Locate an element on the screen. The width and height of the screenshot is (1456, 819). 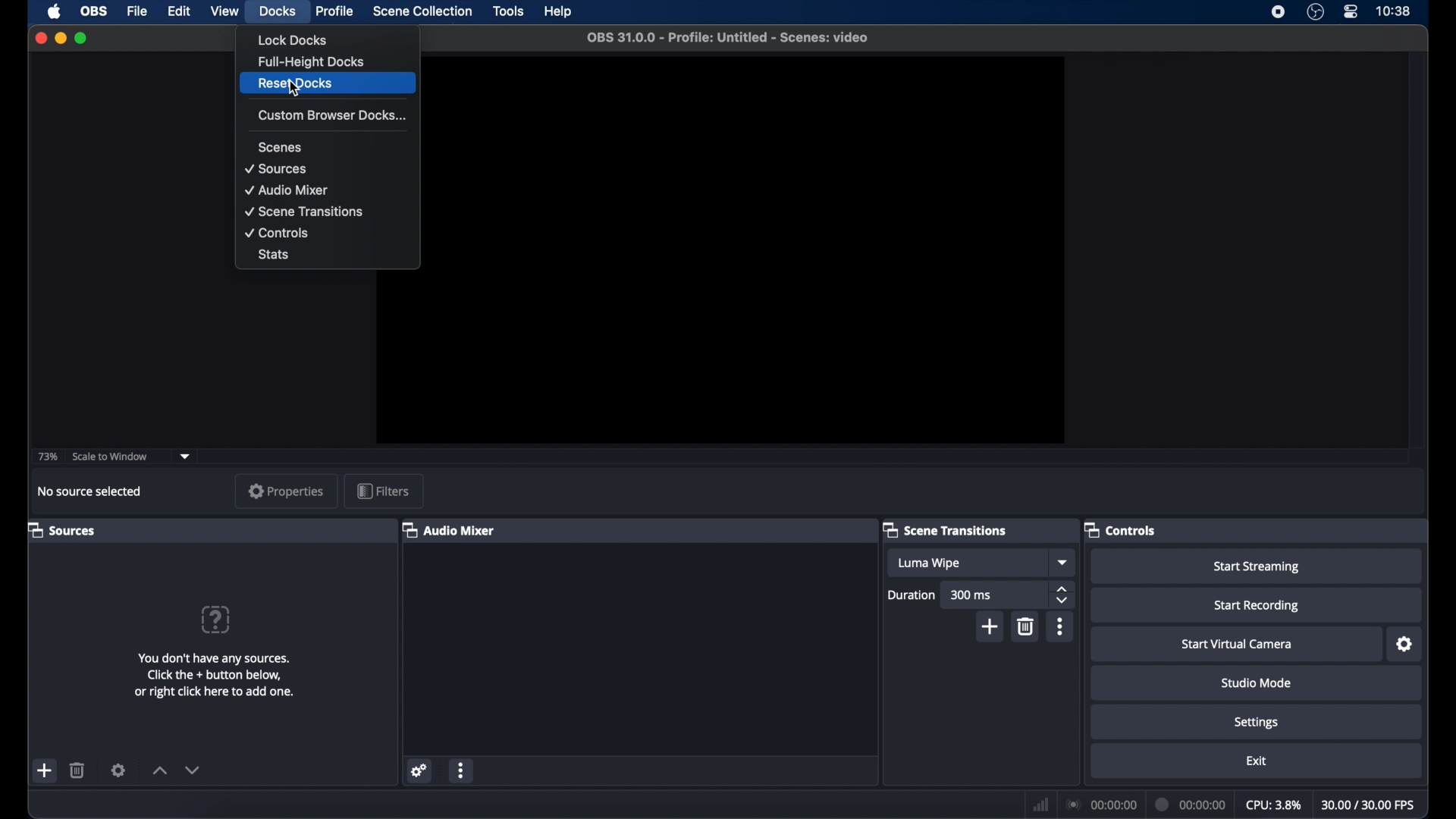
more options is located at coordinates (1061, 627).